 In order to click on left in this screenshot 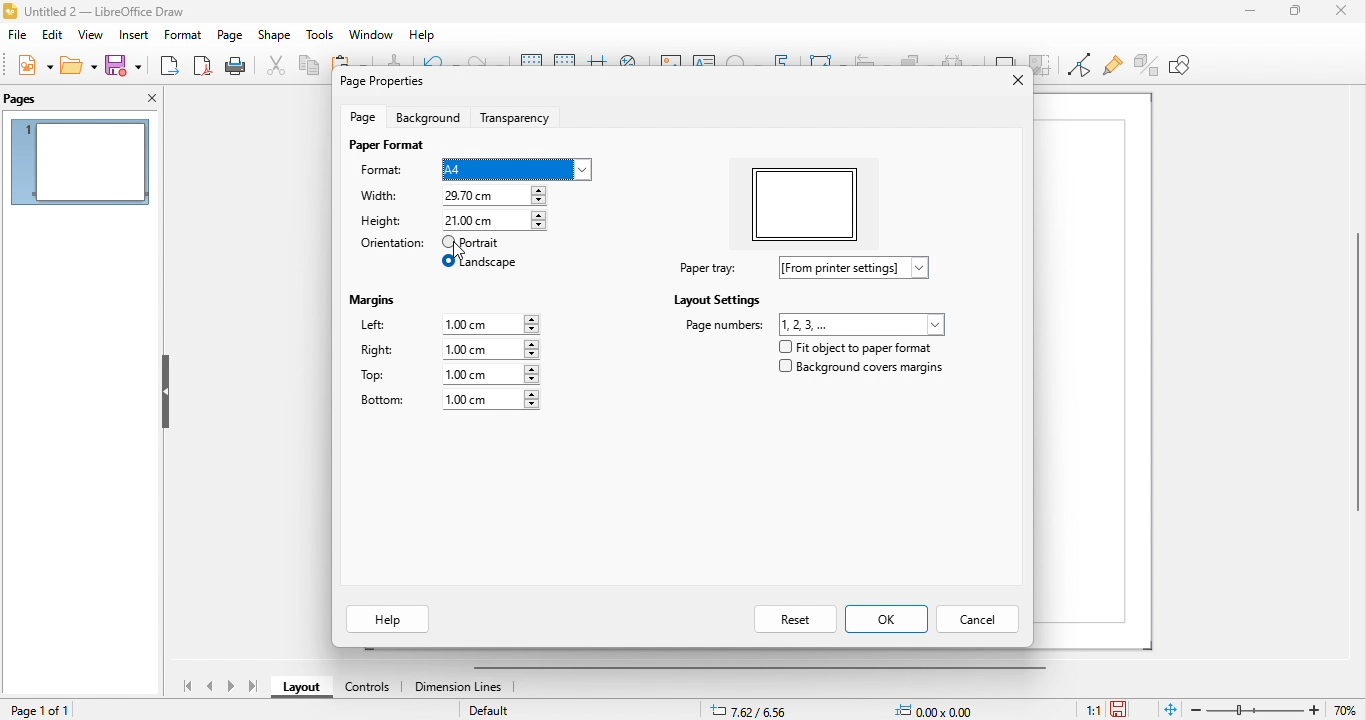, I will do `click(451, 324)`.